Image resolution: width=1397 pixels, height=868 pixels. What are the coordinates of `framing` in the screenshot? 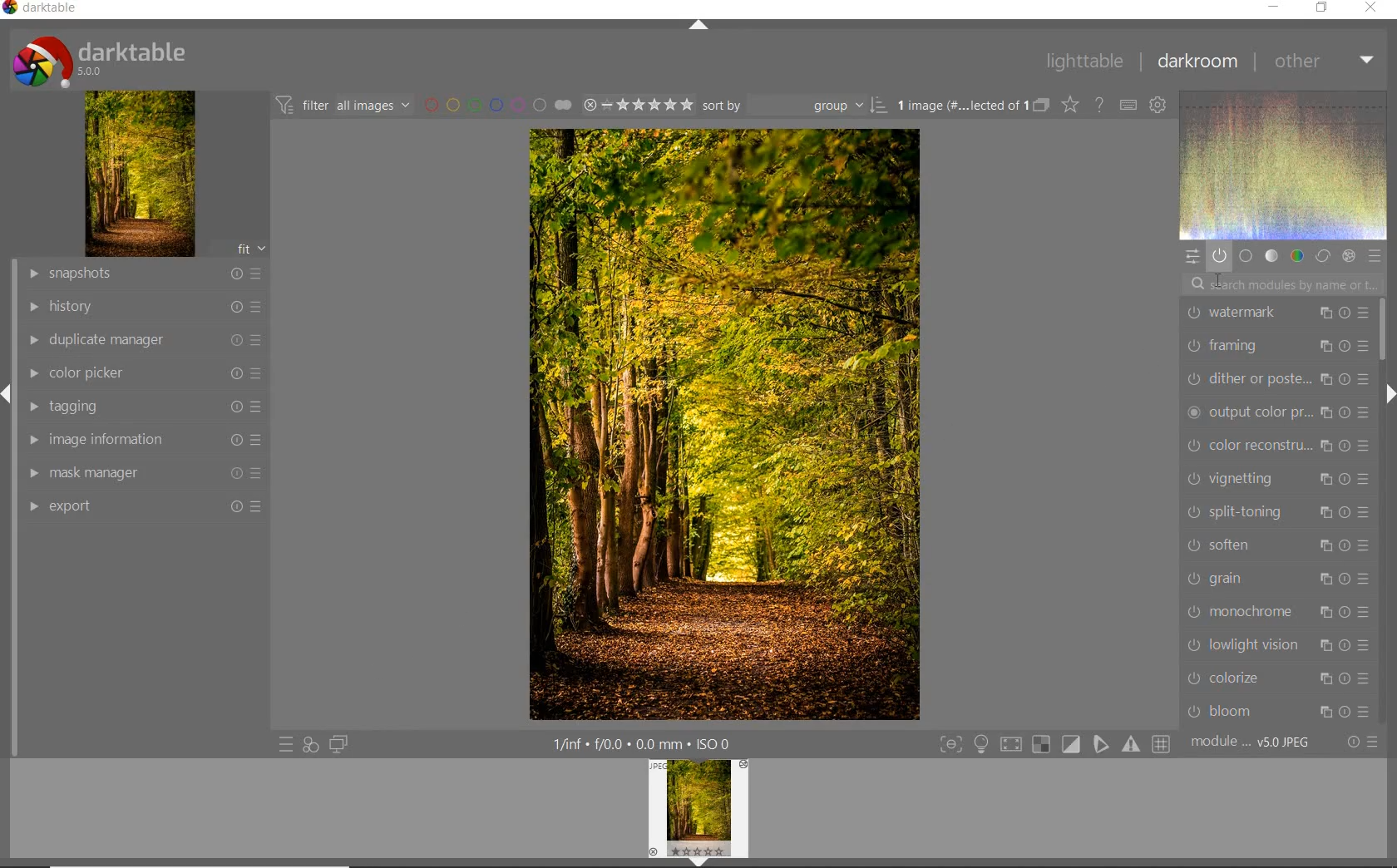 It's located at (1275, 345).